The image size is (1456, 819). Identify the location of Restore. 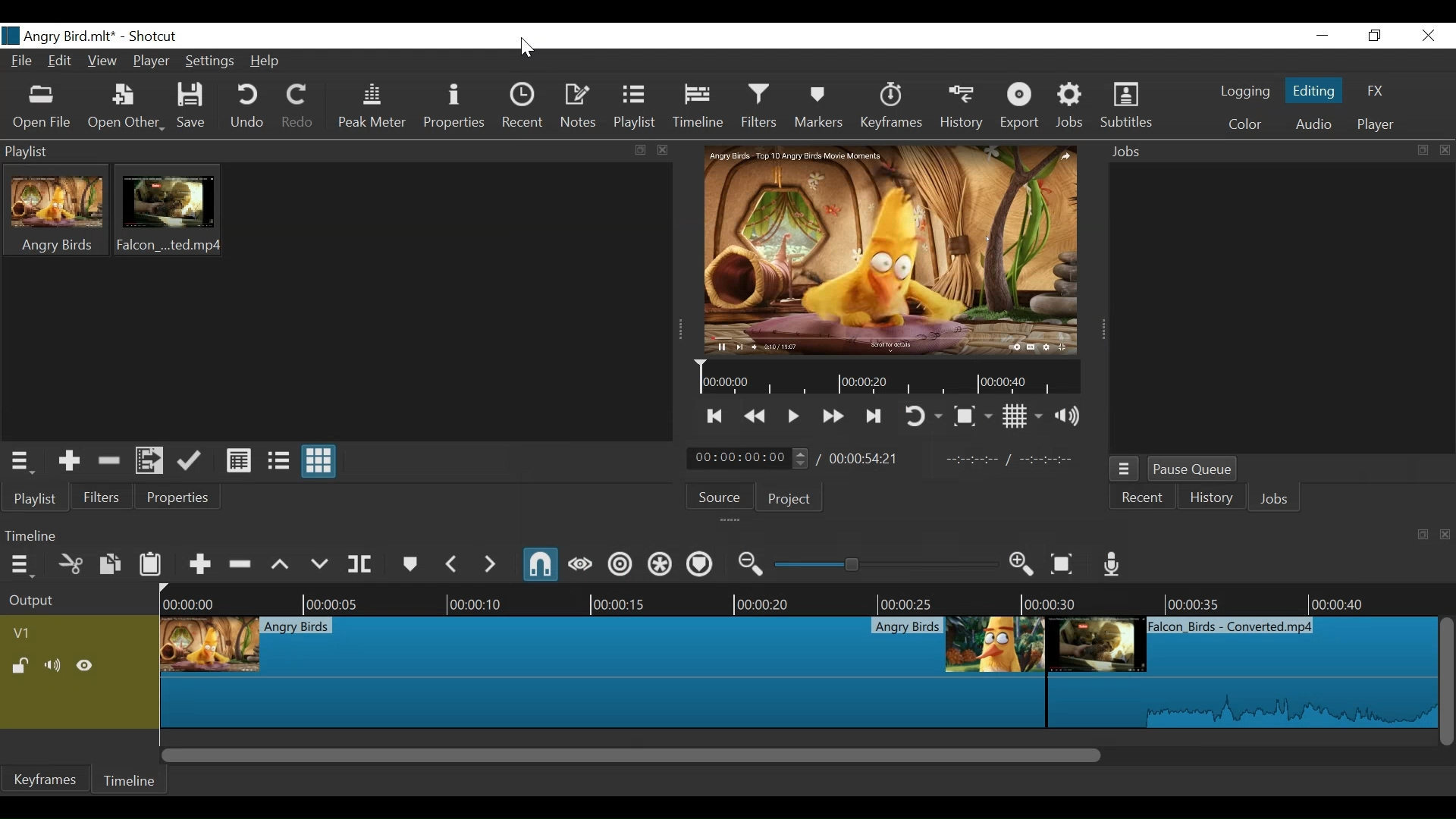
(1373, 36).